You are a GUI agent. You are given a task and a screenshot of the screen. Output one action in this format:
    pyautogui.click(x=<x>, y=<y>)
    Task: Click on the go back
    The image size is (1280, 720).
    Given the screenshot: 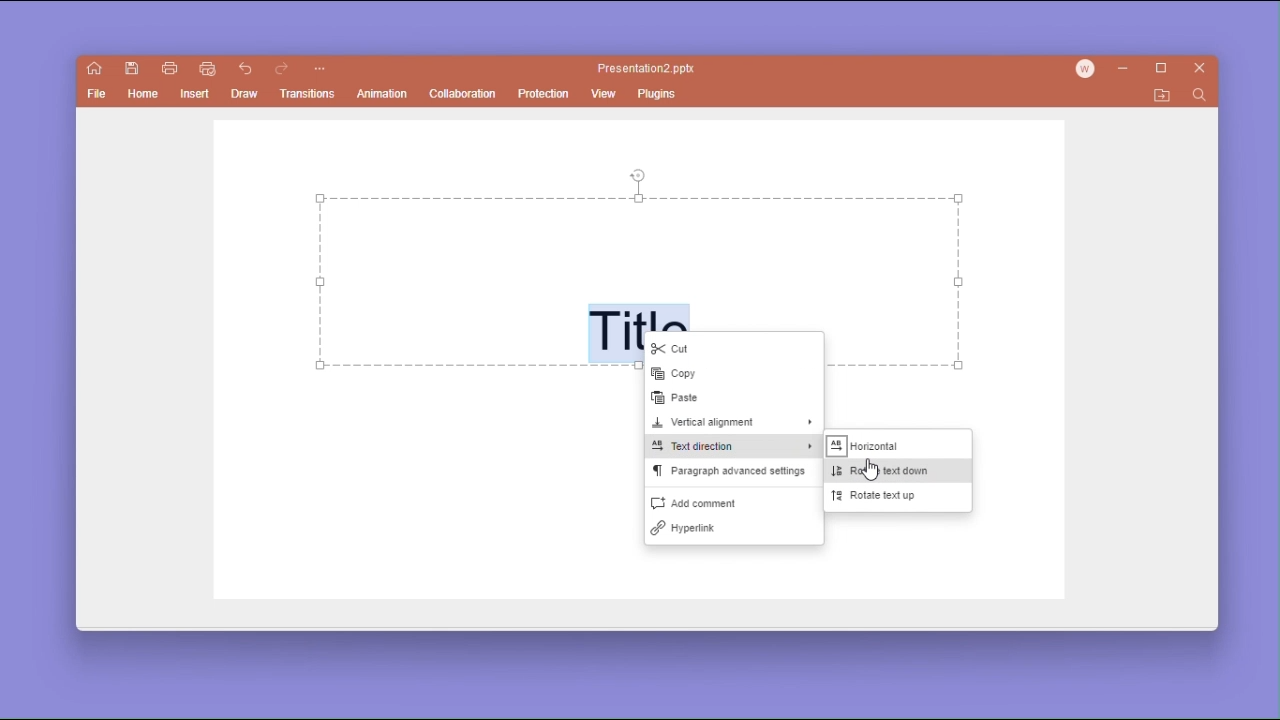 What is the action you would take?
    pyautogui.click(x=246, y=70)
    